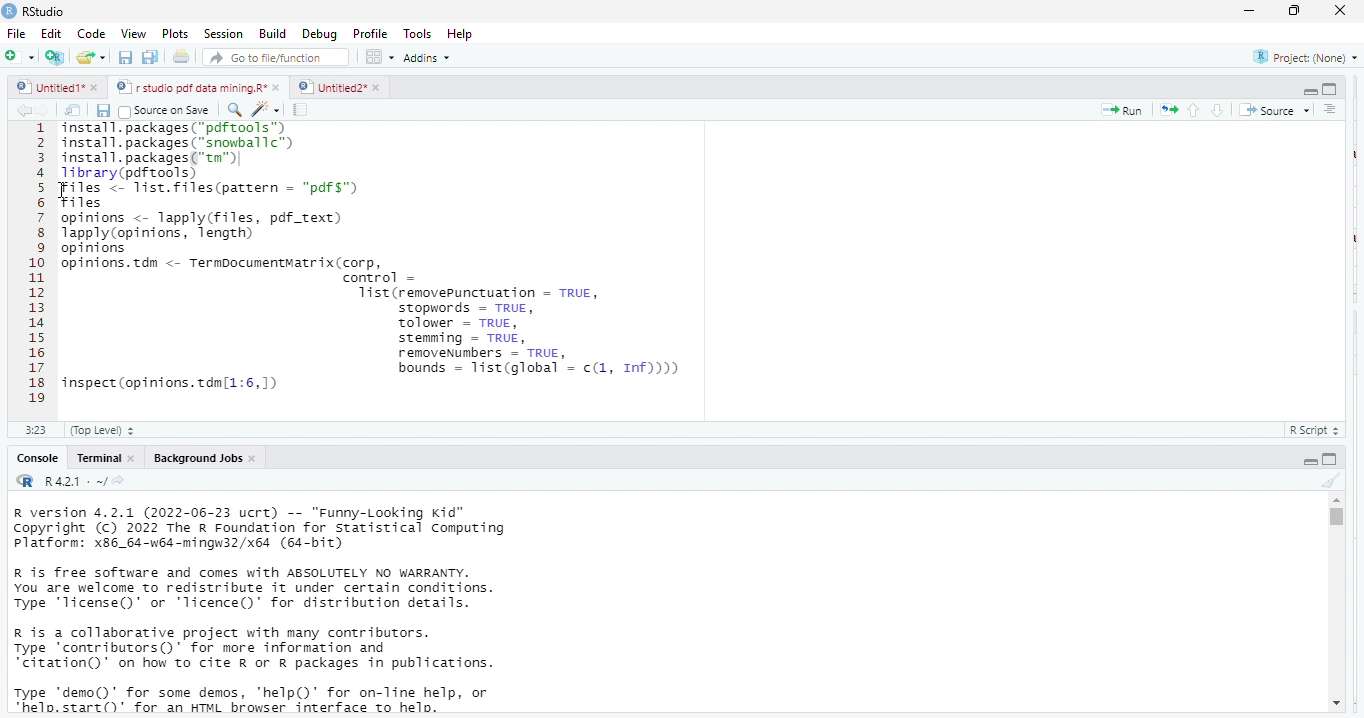 This screenshot has height=718, width=1364. What do you see at coordinates (89, 34) in the screenshot?
I see `code` at bounding box center [89, 34].